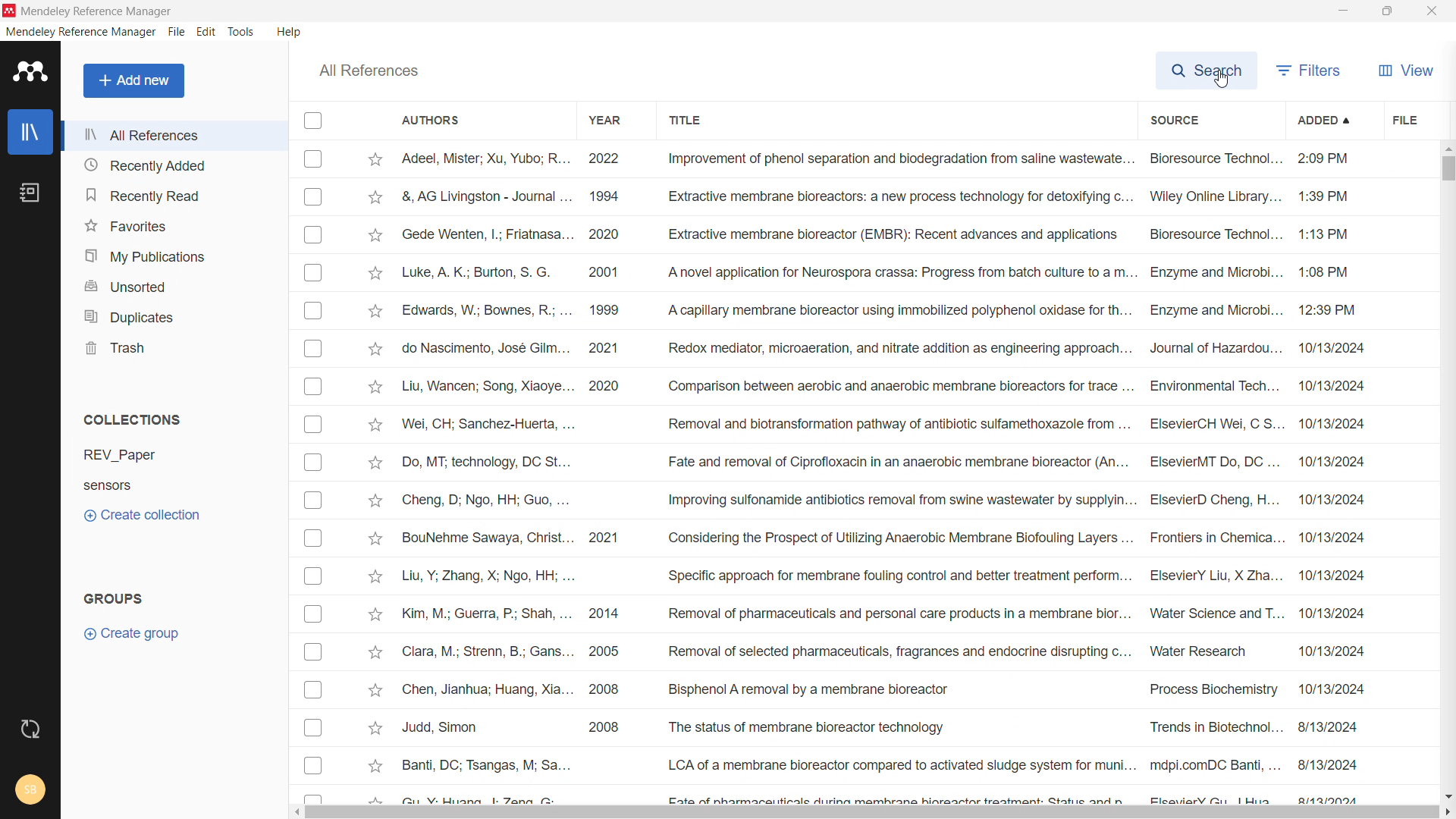  I want to click on Chen, Jianhua; Huang, Xia... 2008 Bisphenol A removal by a membrane bioreactor Process Biochemistry ~~ 10/13/2024, so click(884, 687).